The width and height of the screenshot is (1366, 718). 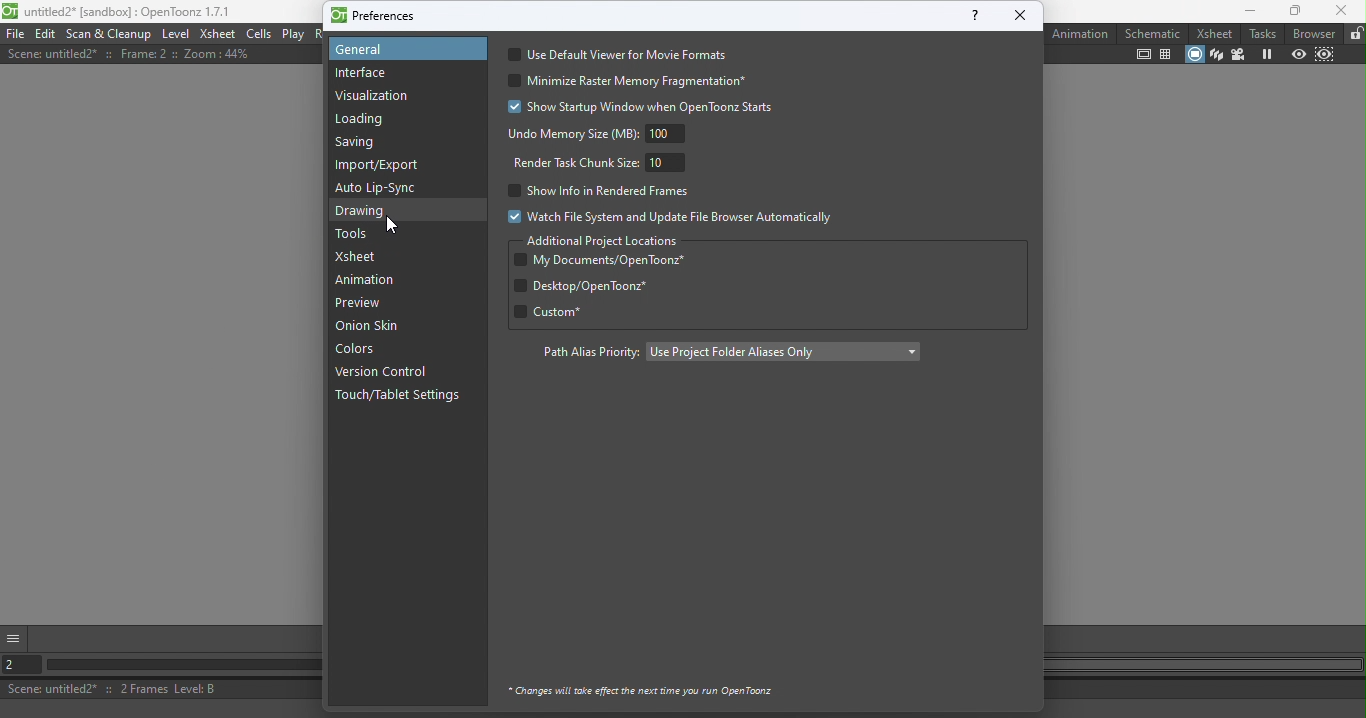 I want to click on Visualization, so click(x=375, y=96).